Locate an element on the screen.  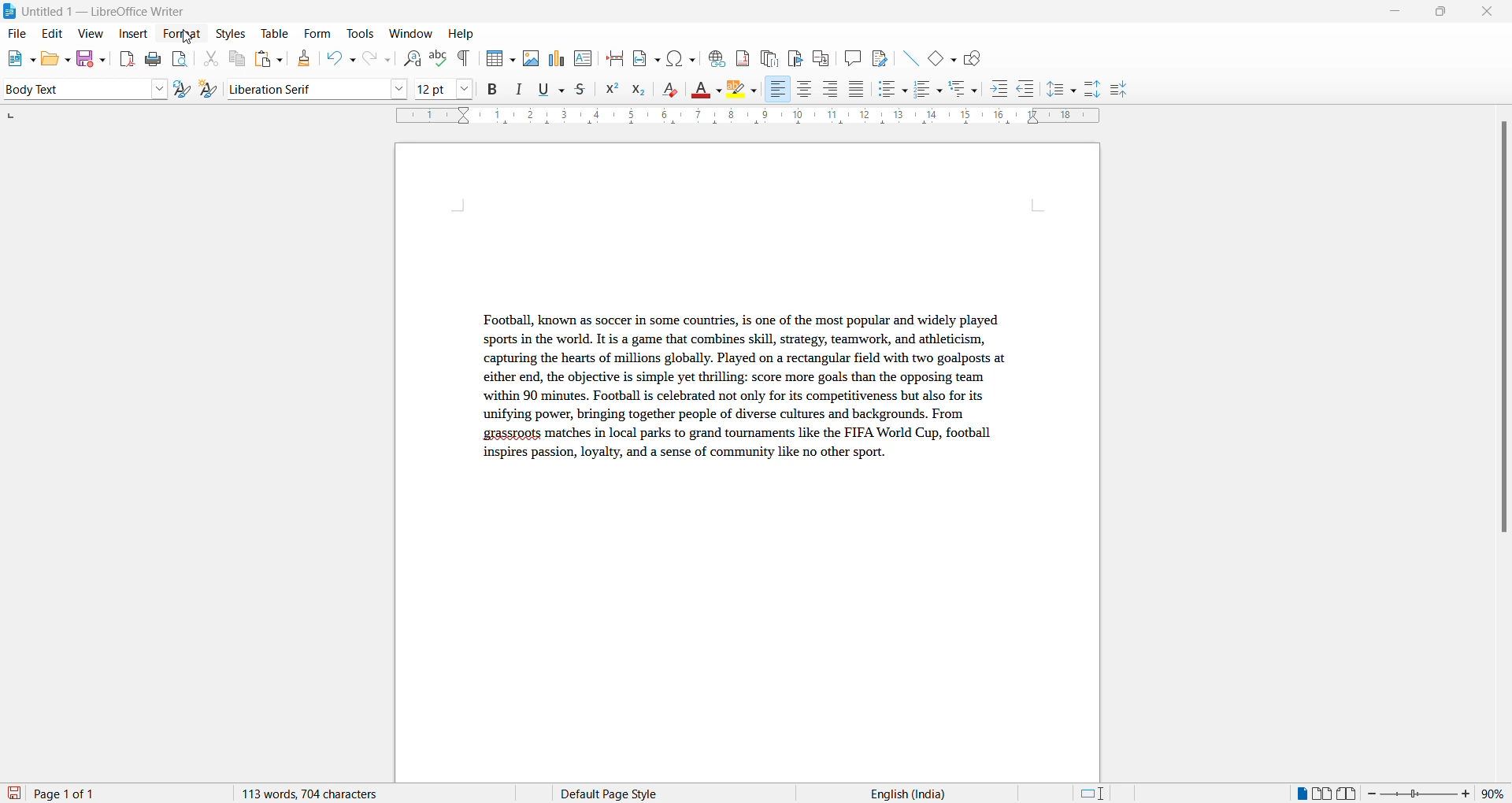
close is located at coordinates (1491, 13).